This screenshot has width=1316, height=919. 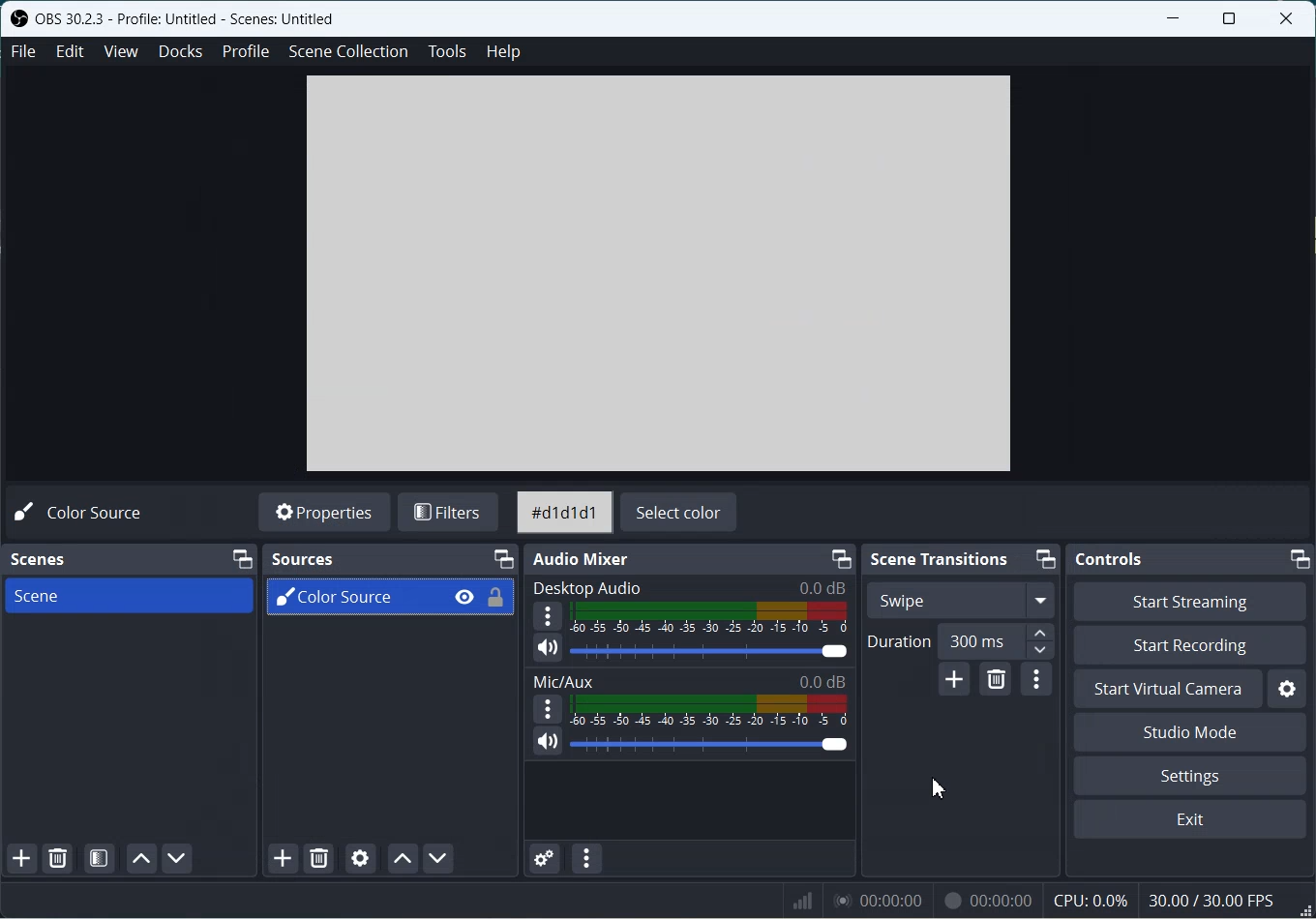 What do you see at coordinates (937, 786) in the screenshot?
I see `Cursor` at bounding box center [937, 786].